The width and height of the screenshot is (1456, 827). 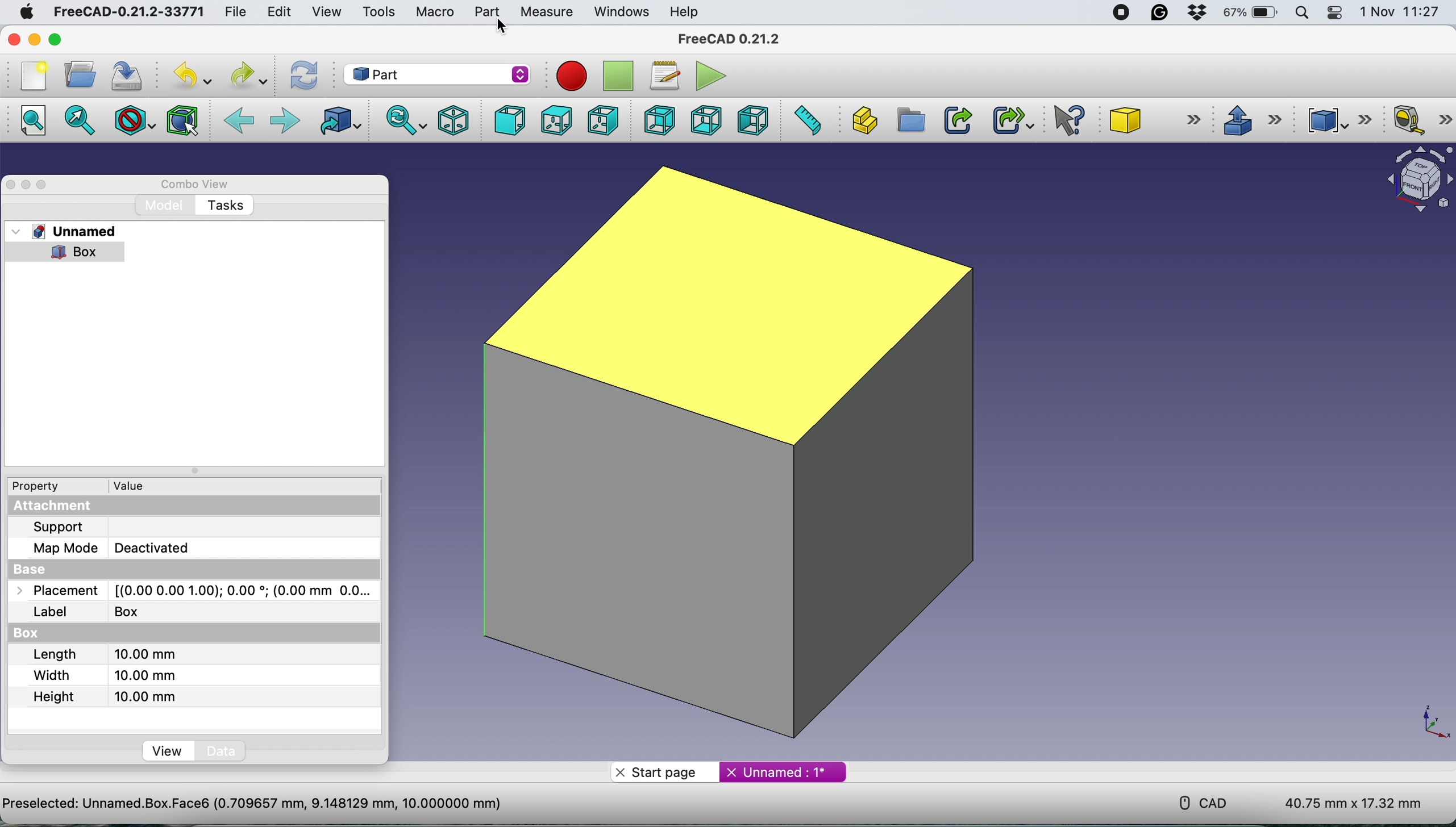 I want to click on create part, so click(x=865, y=120).